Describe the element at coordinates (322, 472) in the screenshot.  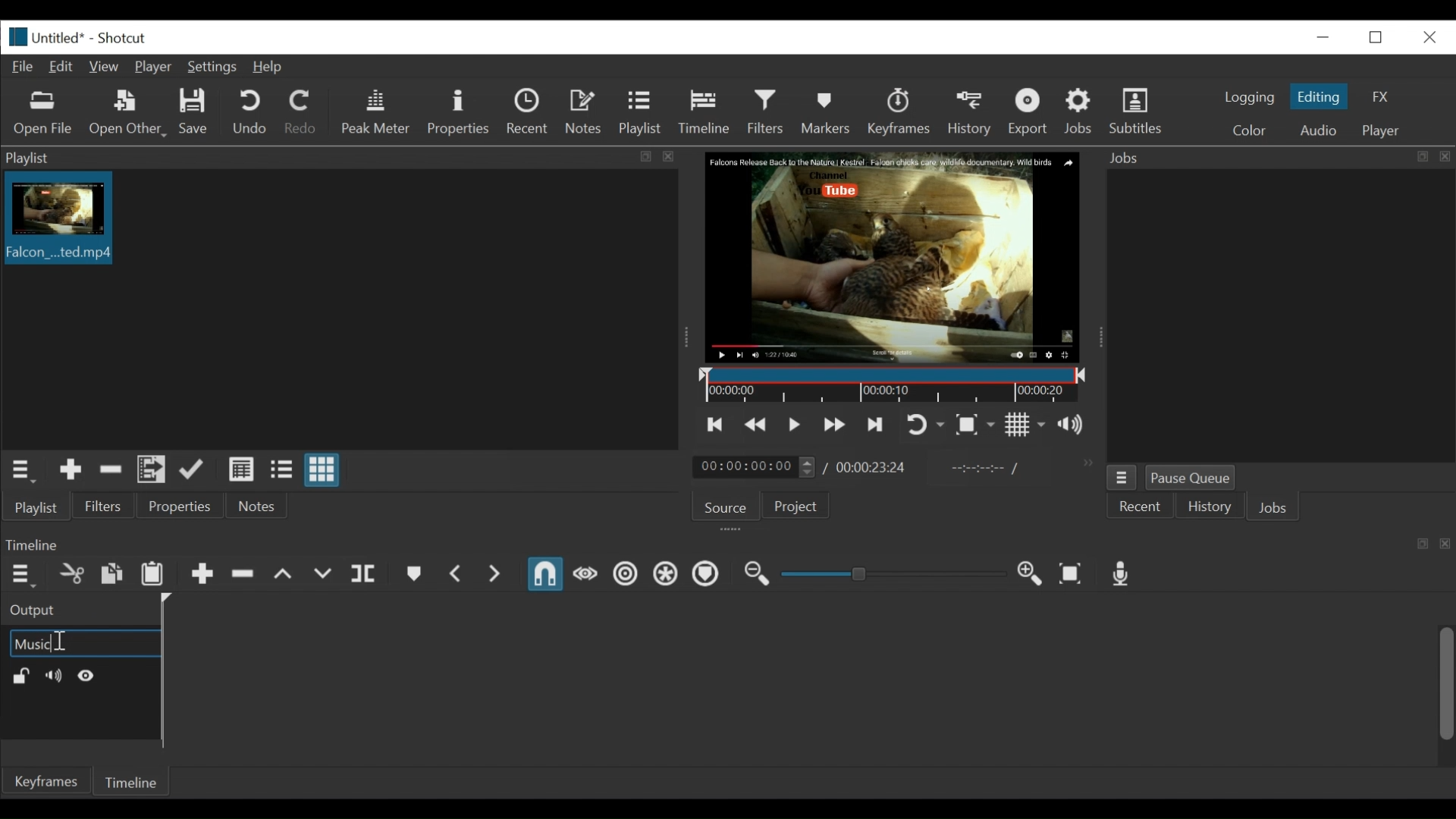
I see `View as icons` at that location.